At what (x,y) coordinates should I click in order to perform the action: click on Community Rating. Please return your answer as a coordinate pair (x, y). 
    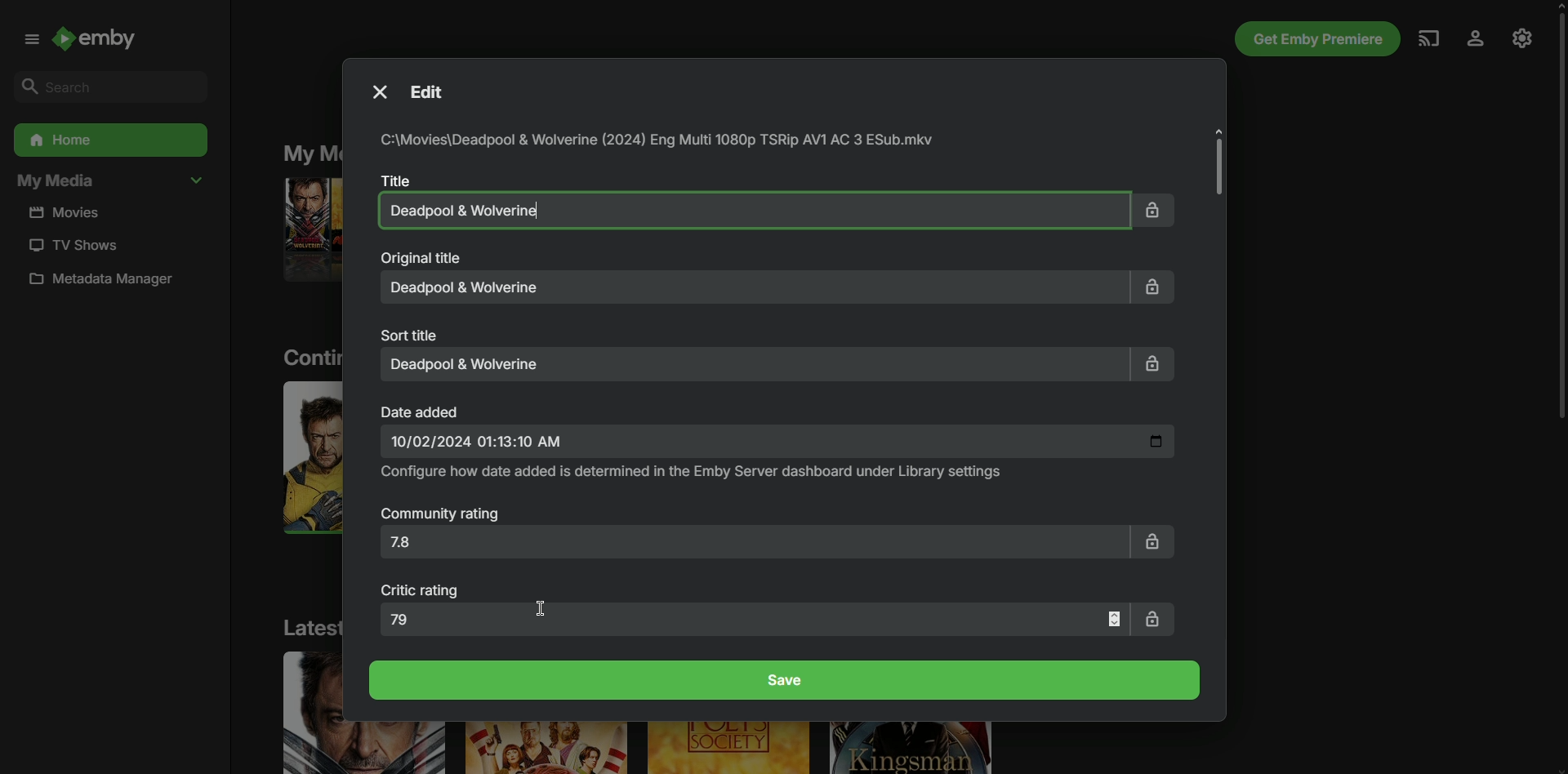
    Looking at the image, I should click on (441, 515).